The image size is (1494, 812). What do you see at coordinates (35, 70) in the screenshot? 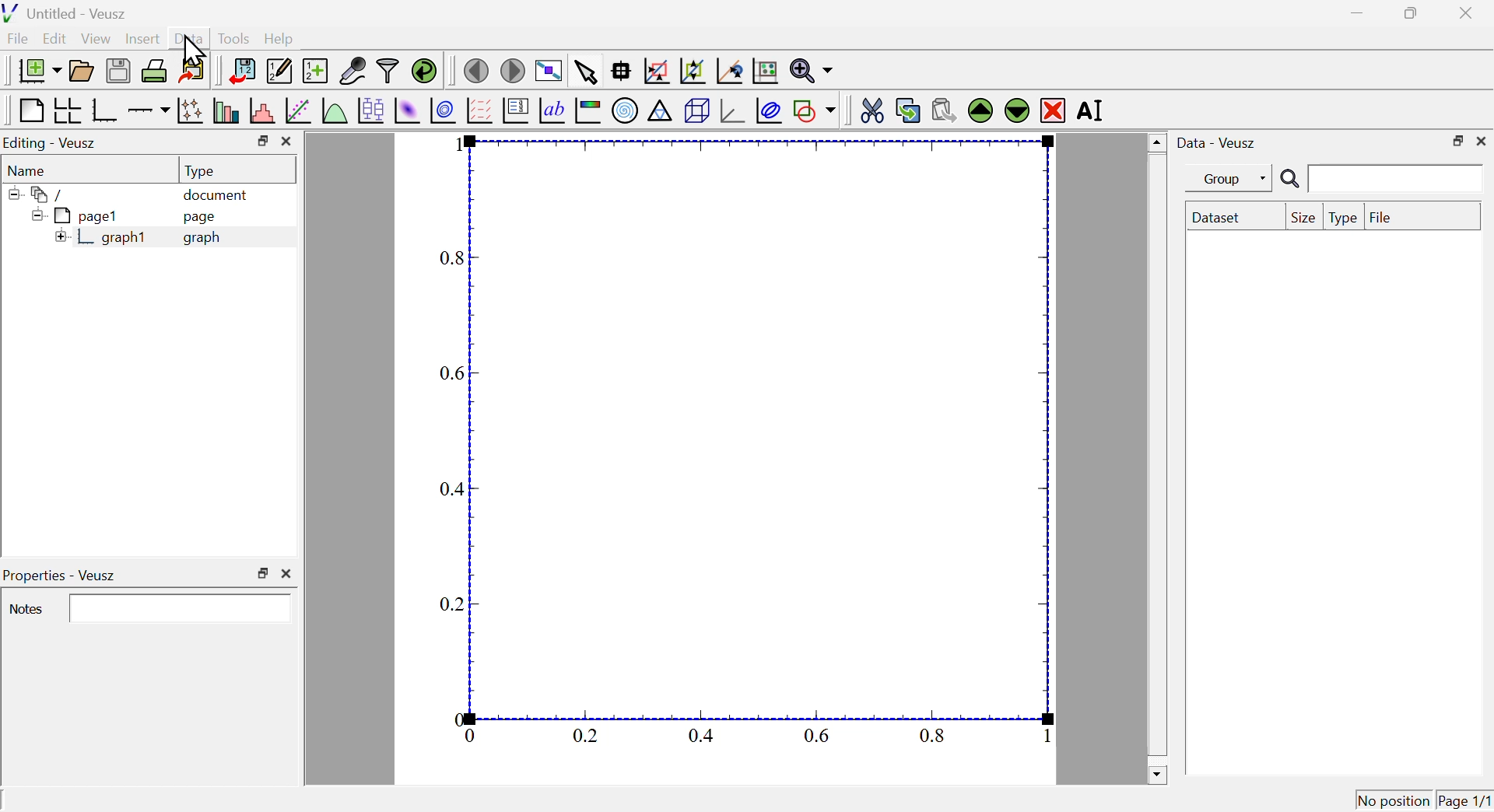
I see `new document` at bounding box center [35, 70].